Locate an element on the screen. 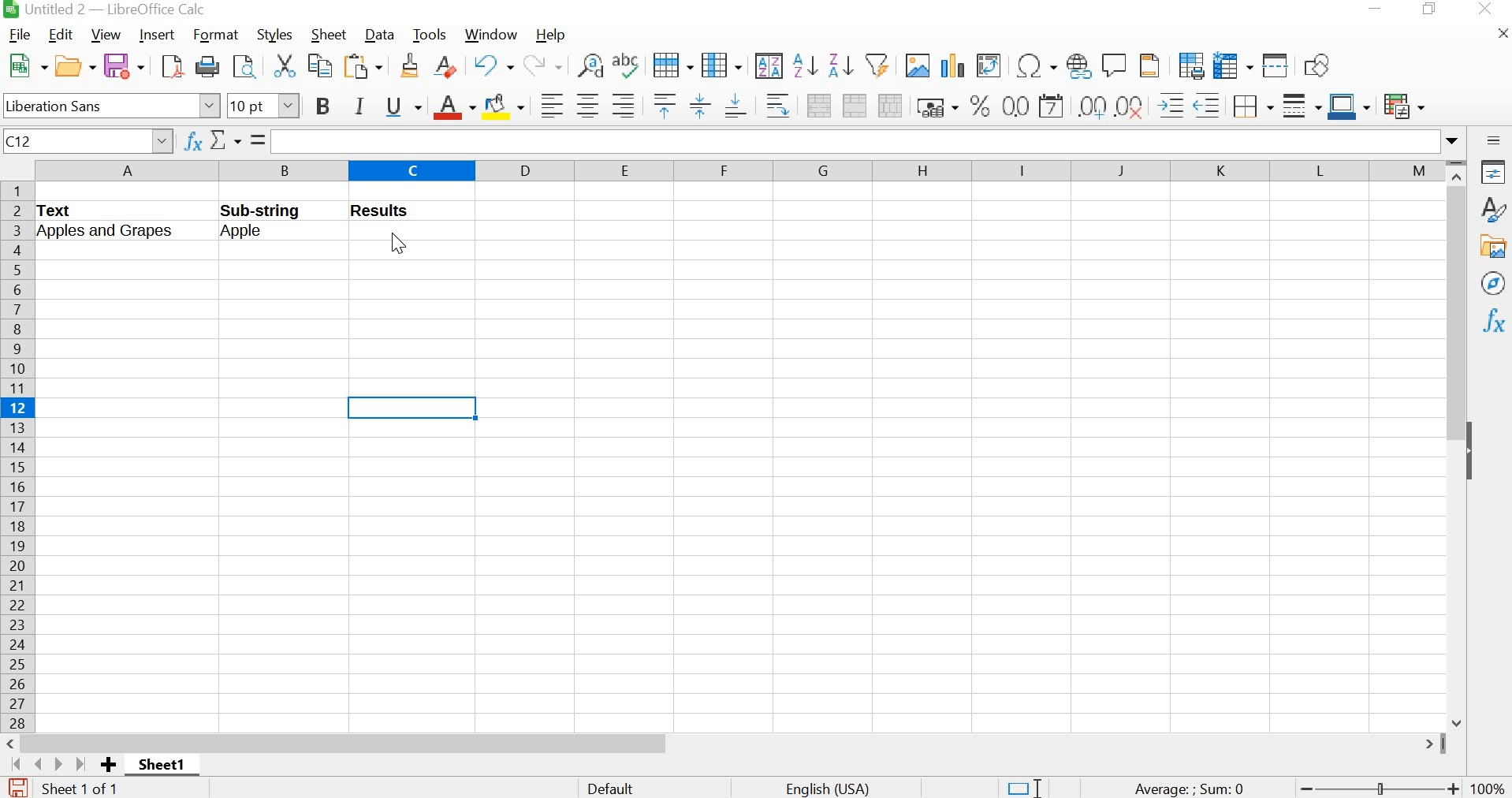 Image resolution: width=1512 pixels, height=798 pixels. Sub-string is located at coordinates (280, 209).